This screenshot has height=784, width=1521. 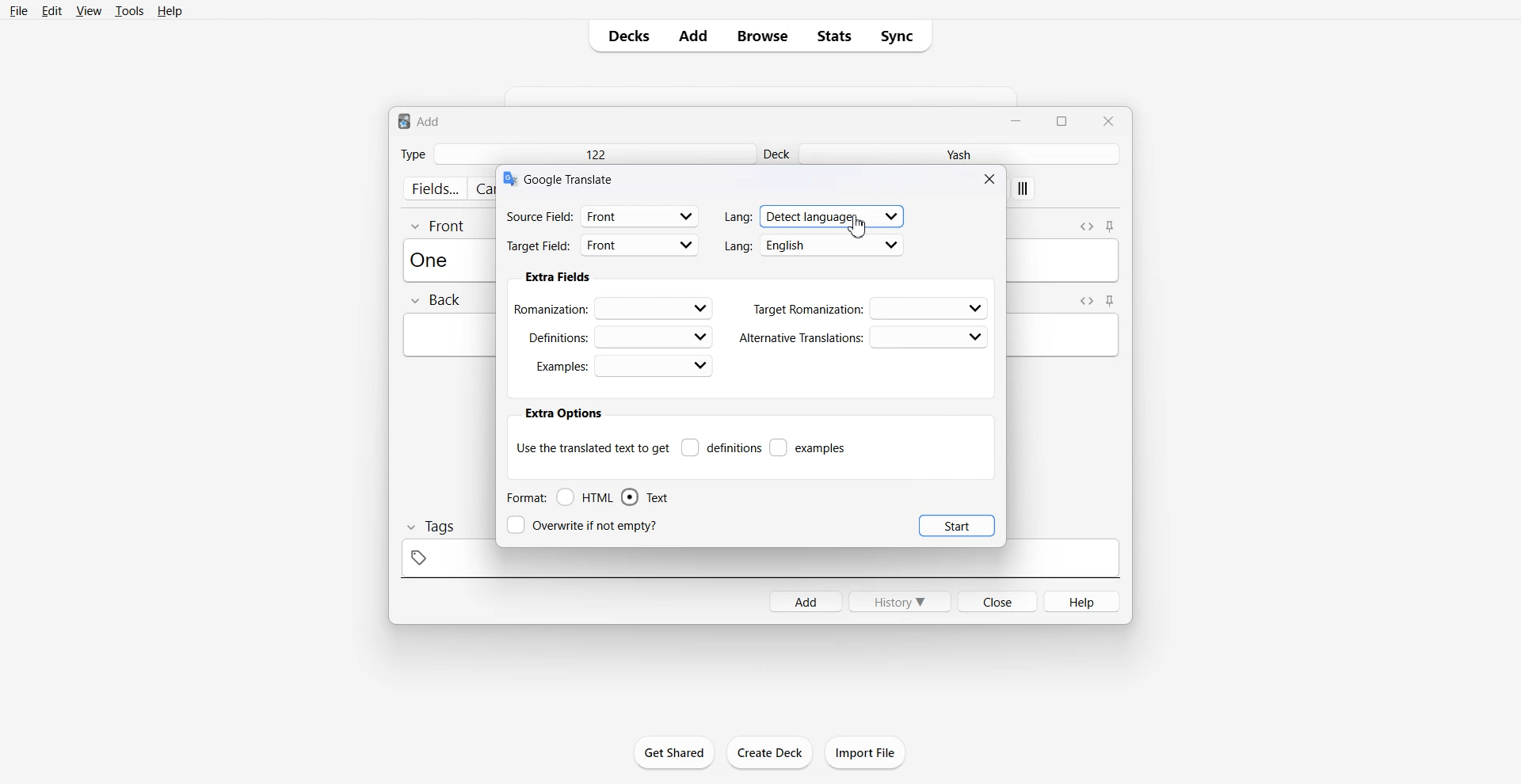 What do you see at coordinates (435, 301) in the screenshot?
I see `Back` at bounding box center [435, 301].